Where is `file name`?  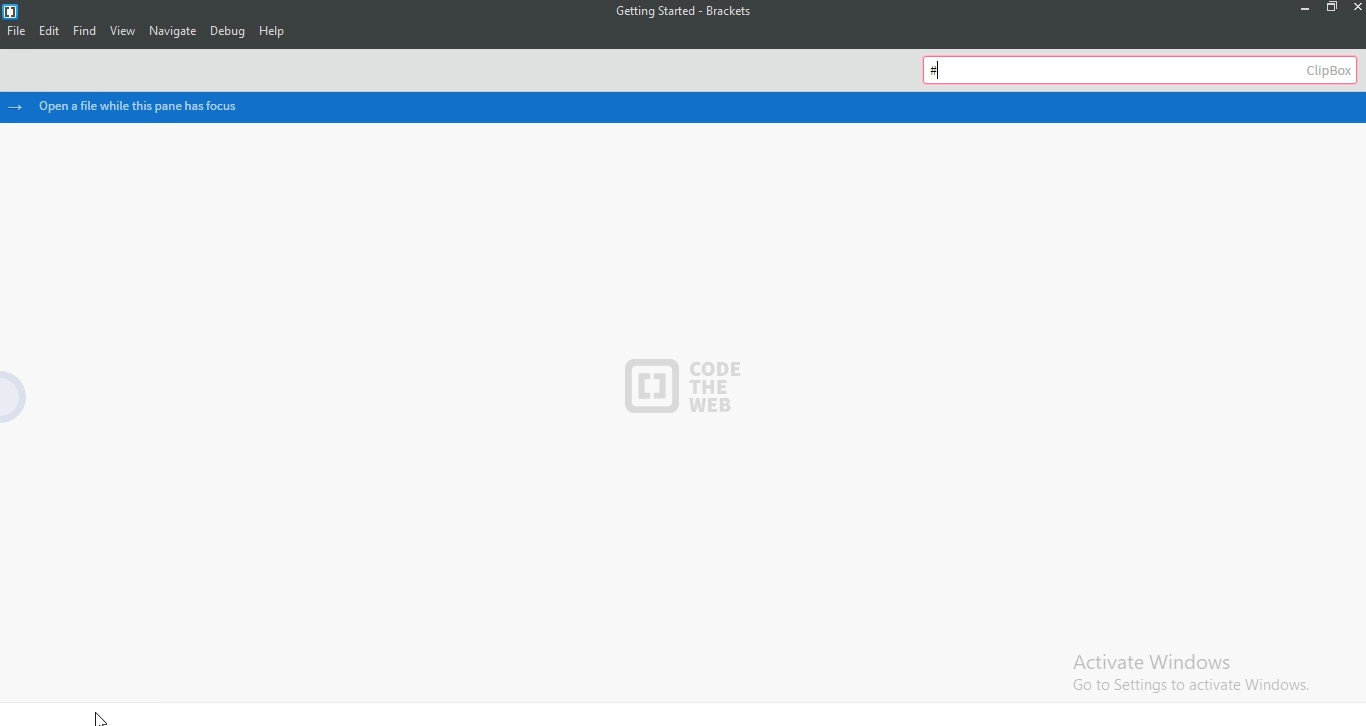
file name is located at coordinates (678, 12).